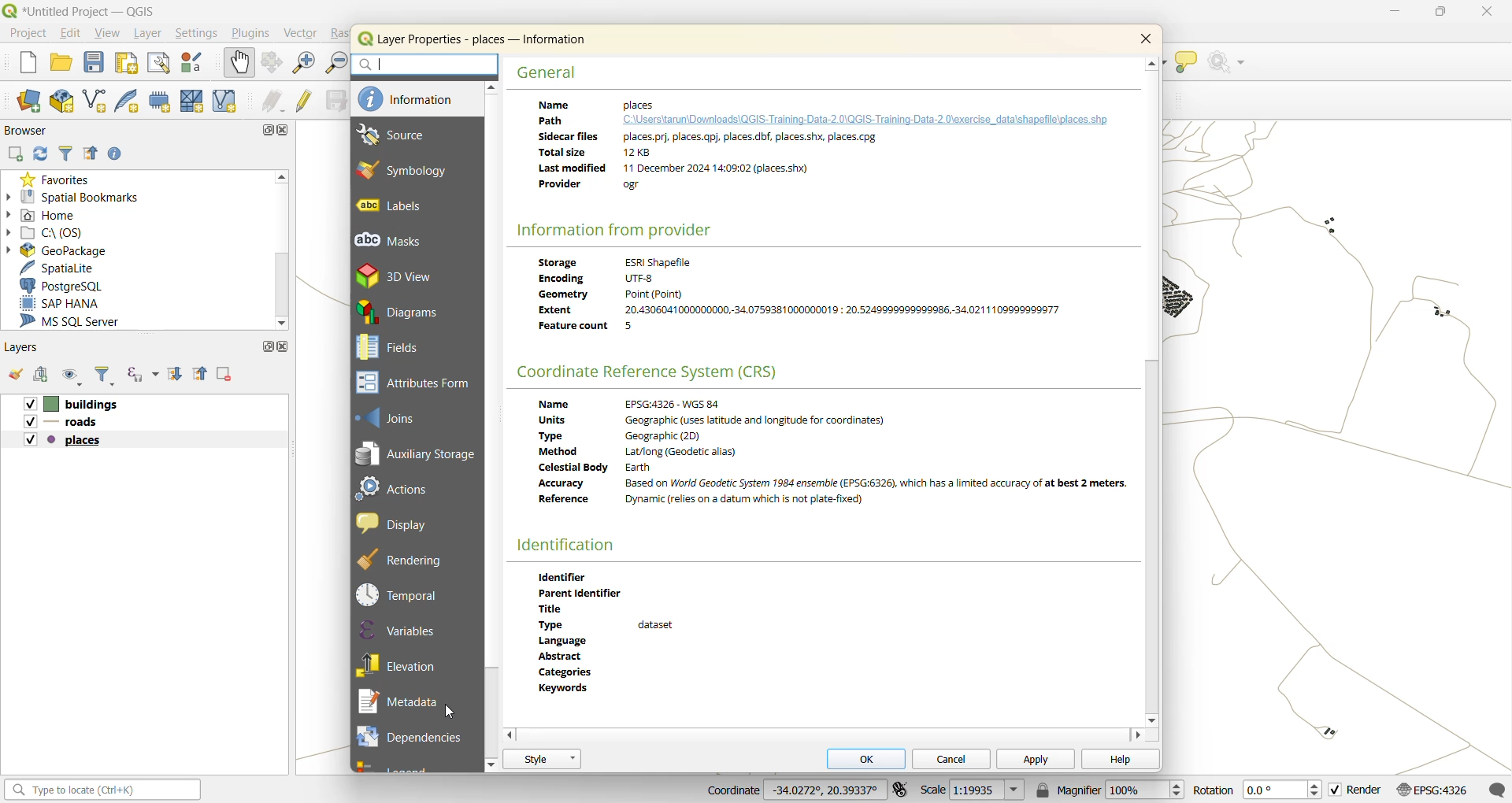  Describe the element at coordinates (949, 757) in the screenshot. I see `cancel` at that location.